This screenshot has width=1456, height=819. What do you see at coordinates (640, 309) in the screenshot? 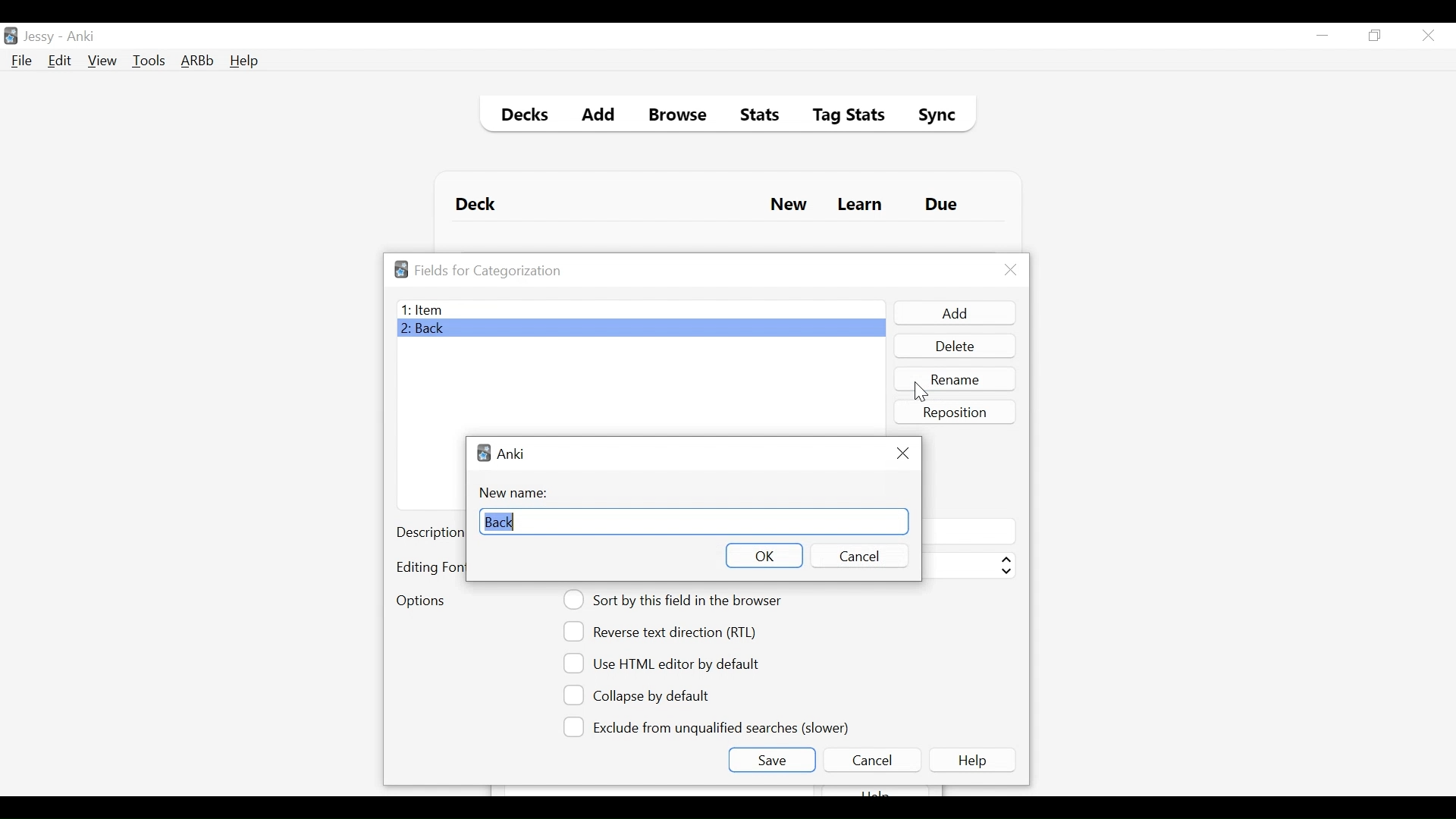
I see `Front` at bounding box center [640, 309].